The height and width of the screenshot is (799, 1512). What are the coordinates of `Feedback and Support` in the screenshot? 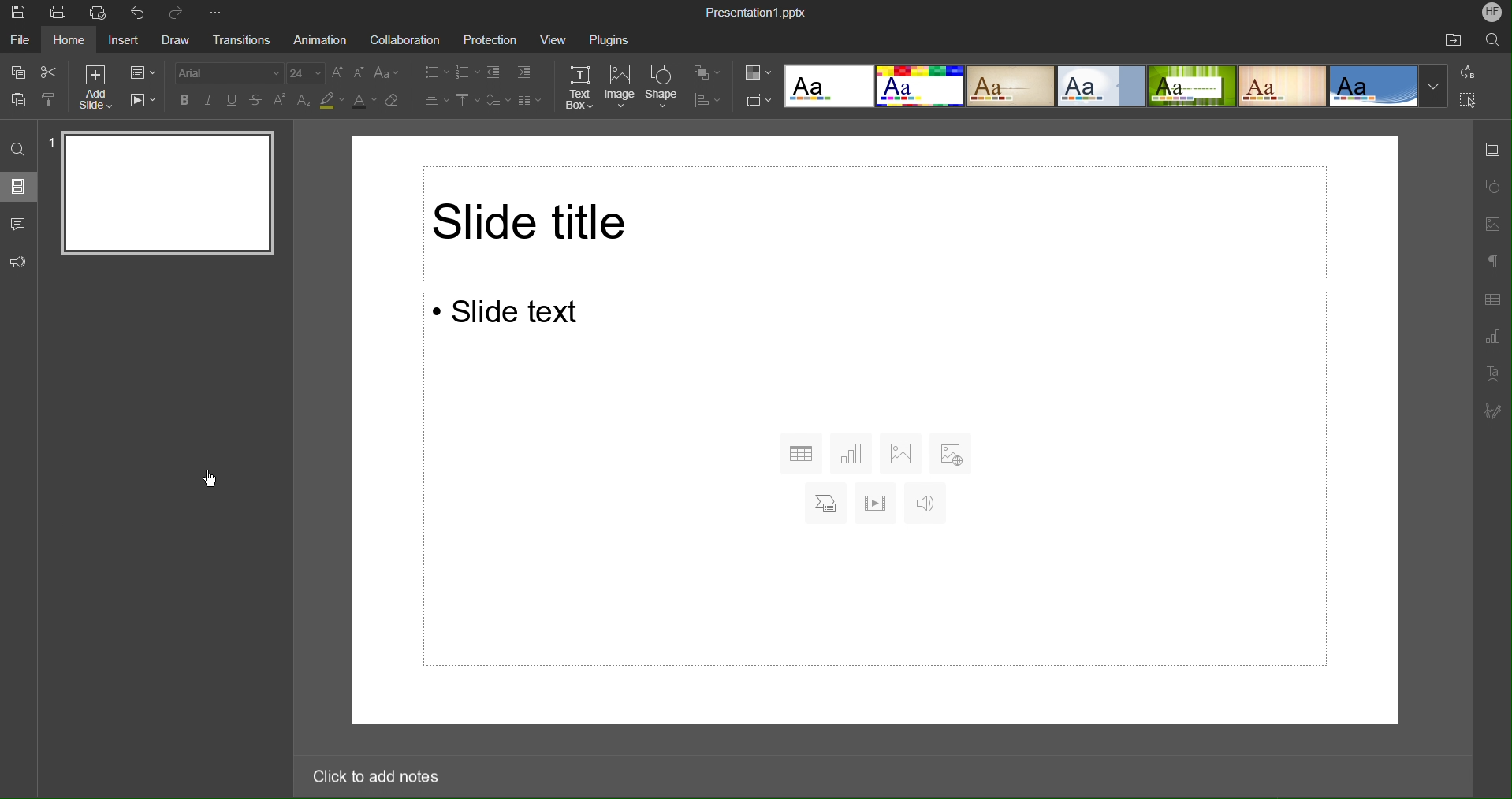 It's located at (18, 263).